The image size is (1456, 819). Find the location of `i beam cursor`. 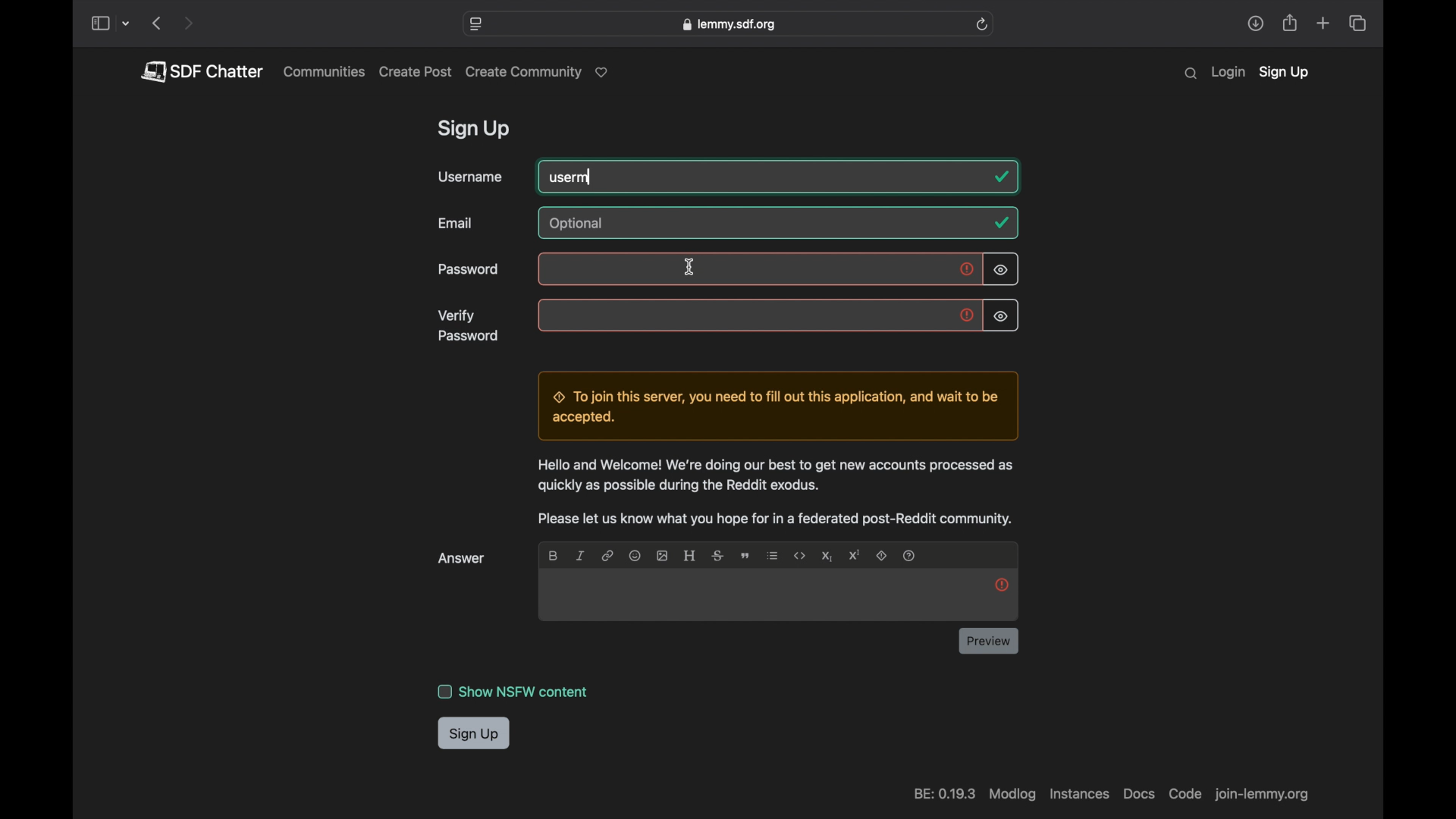

i beam cursor is located at coordinates (691, 265).